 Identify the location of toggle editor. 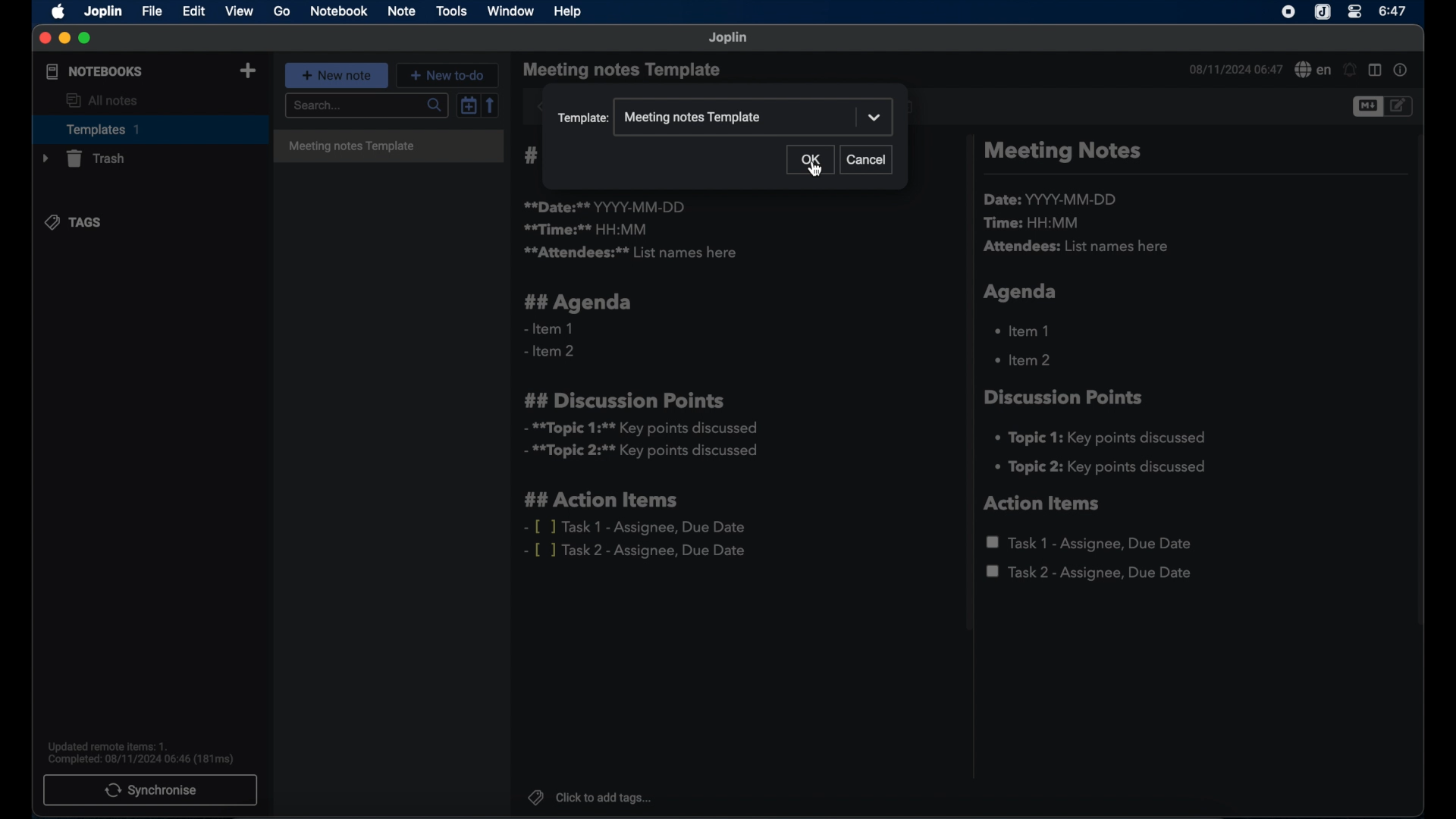
(1365, 108).